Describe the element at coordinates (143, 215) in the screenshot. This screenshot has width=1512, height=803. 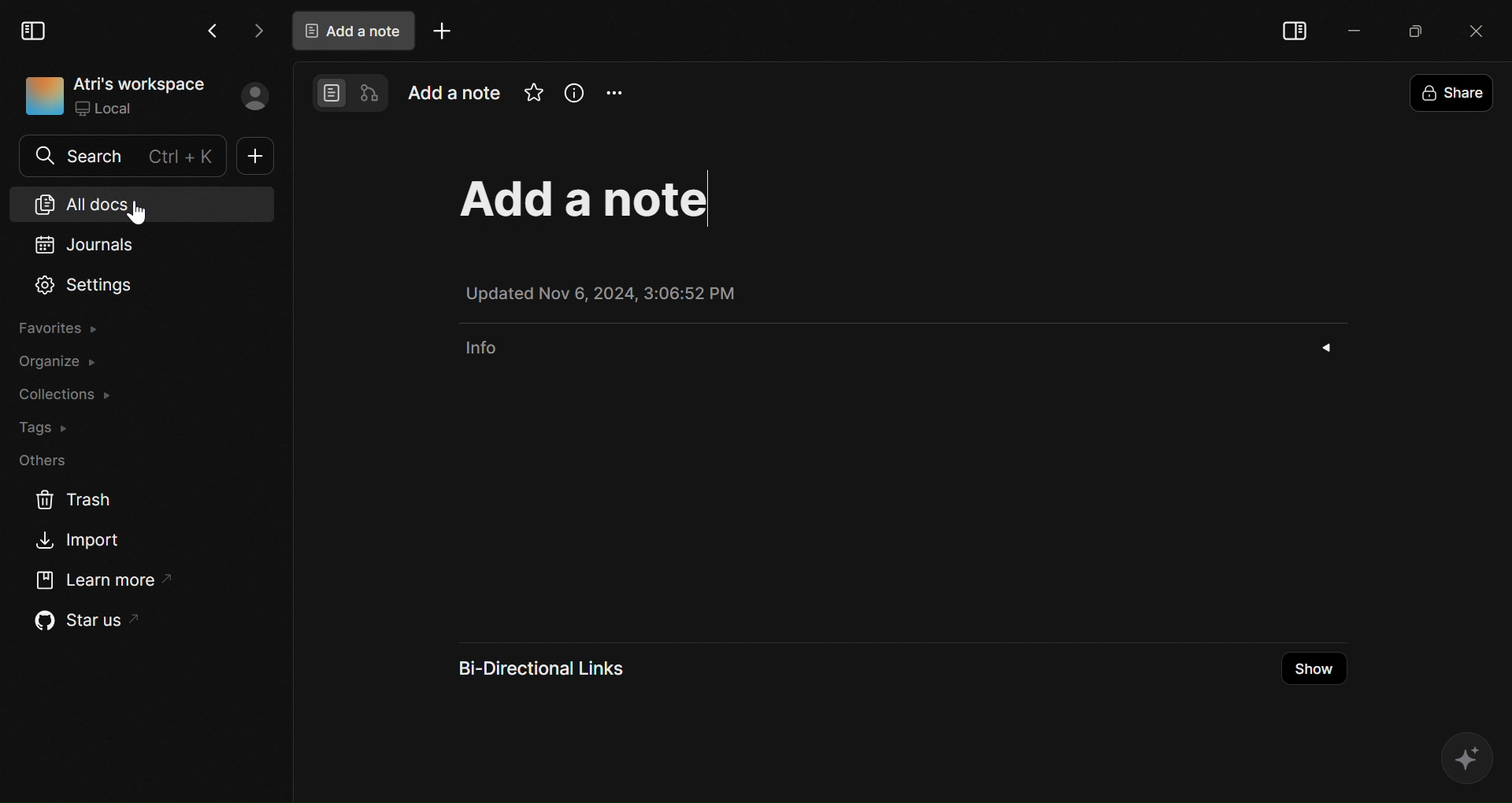
I see `cursor` at that location.